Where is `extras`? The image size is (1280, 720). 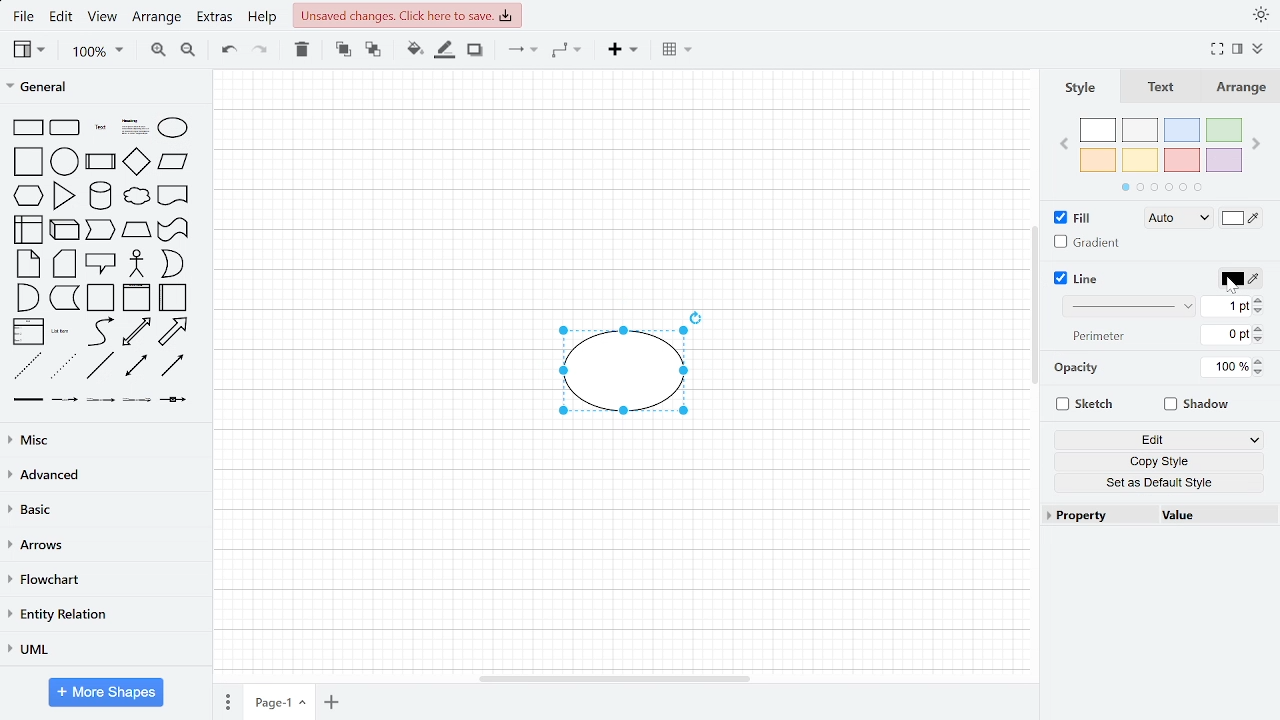
extras is located at coordinates (215, 20).